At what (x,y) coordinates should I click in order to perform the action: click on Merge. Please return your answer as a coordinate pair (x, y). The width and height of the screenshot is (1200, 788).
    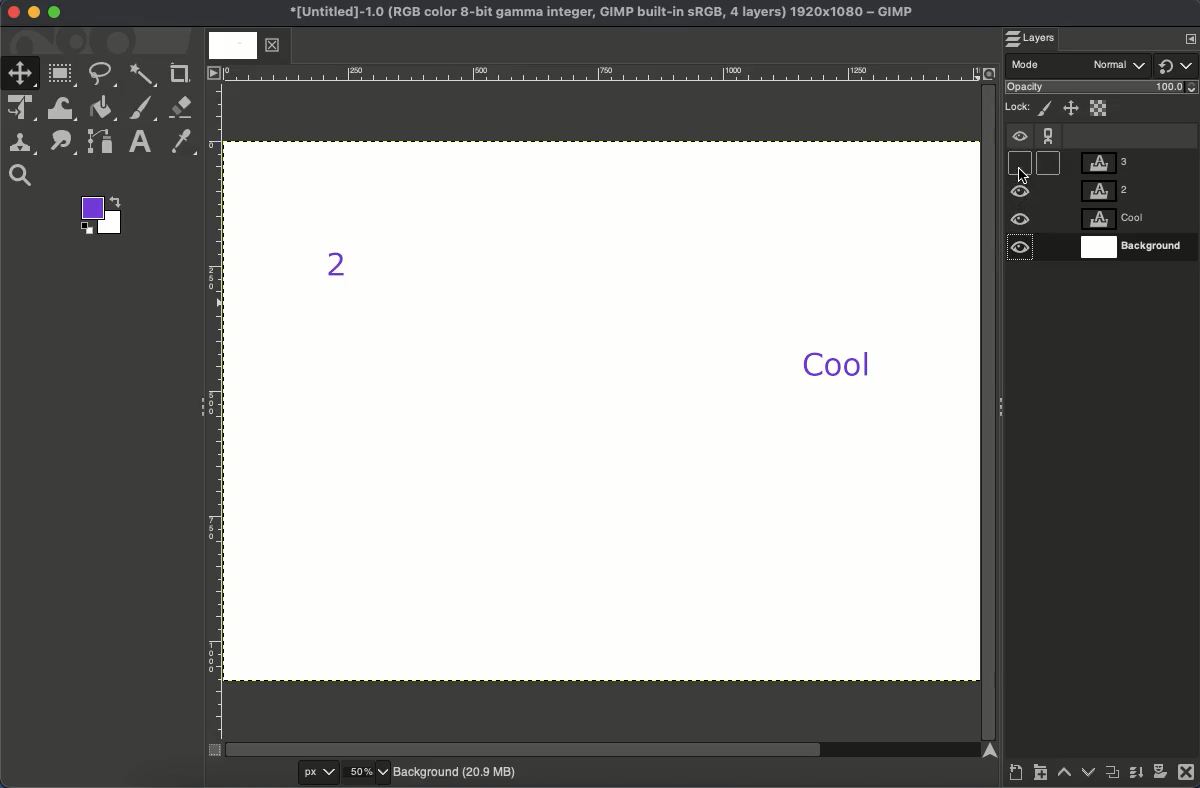
    Looking at the image, I should click on (1135, 777).